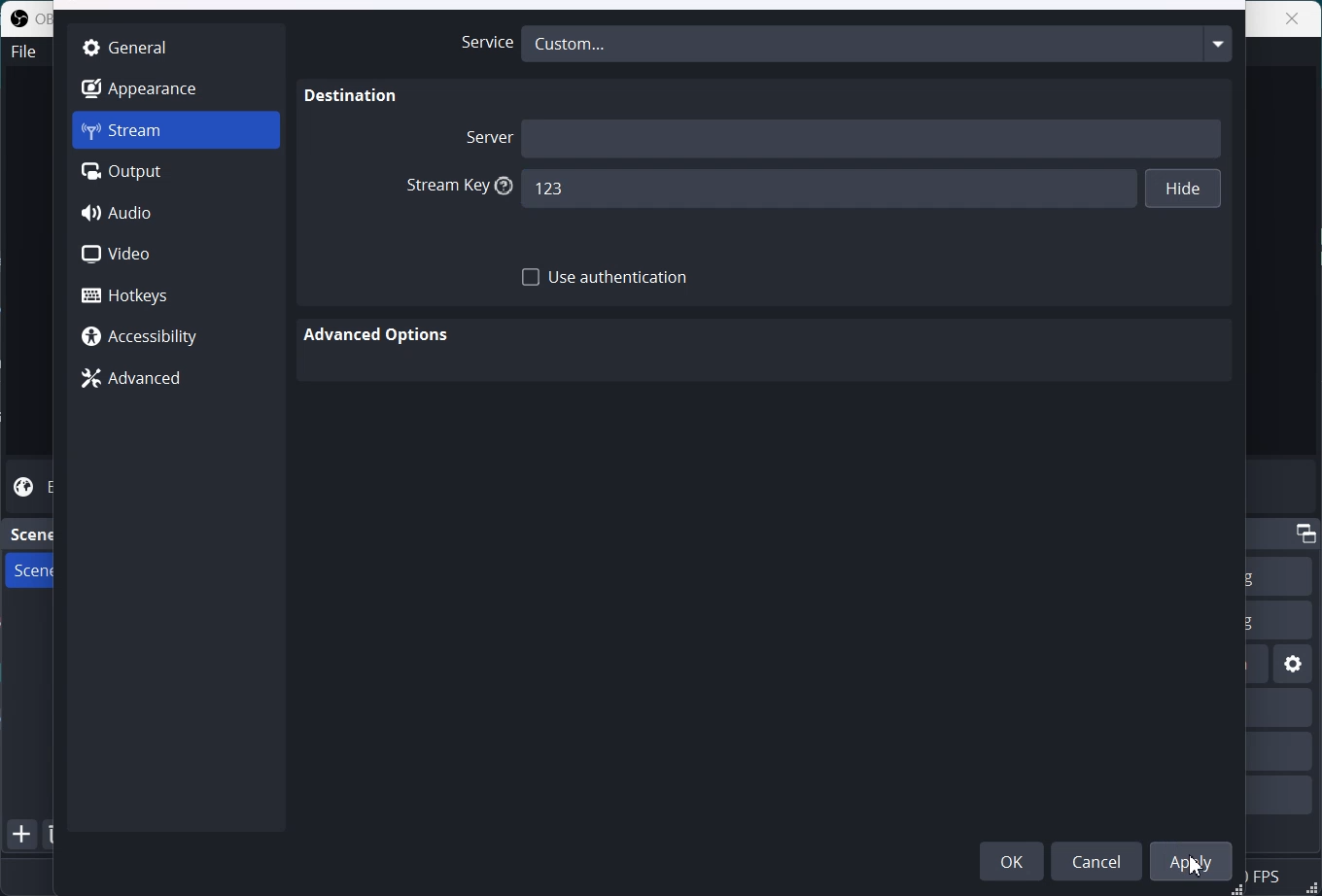 The height and width of the screenshot is (896, 1322). I want to click on Apply, so click(1195, 860).